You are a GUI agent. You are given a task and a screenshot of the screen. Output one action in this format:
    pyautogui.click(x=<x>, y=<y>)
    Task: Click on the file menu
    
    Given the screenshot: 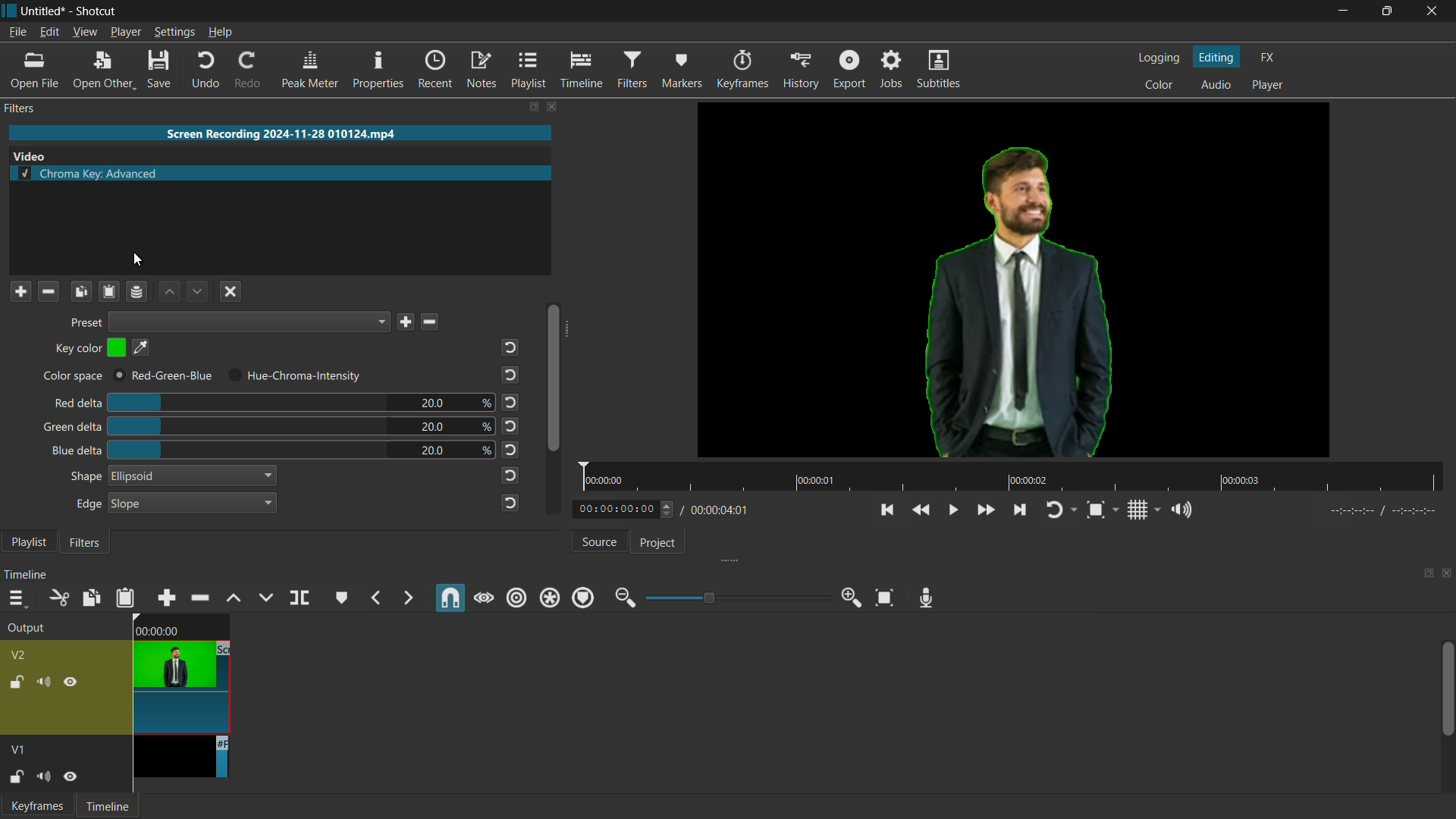 What is the action you would take?
    pyautogui.click(x=16, y=33)
    